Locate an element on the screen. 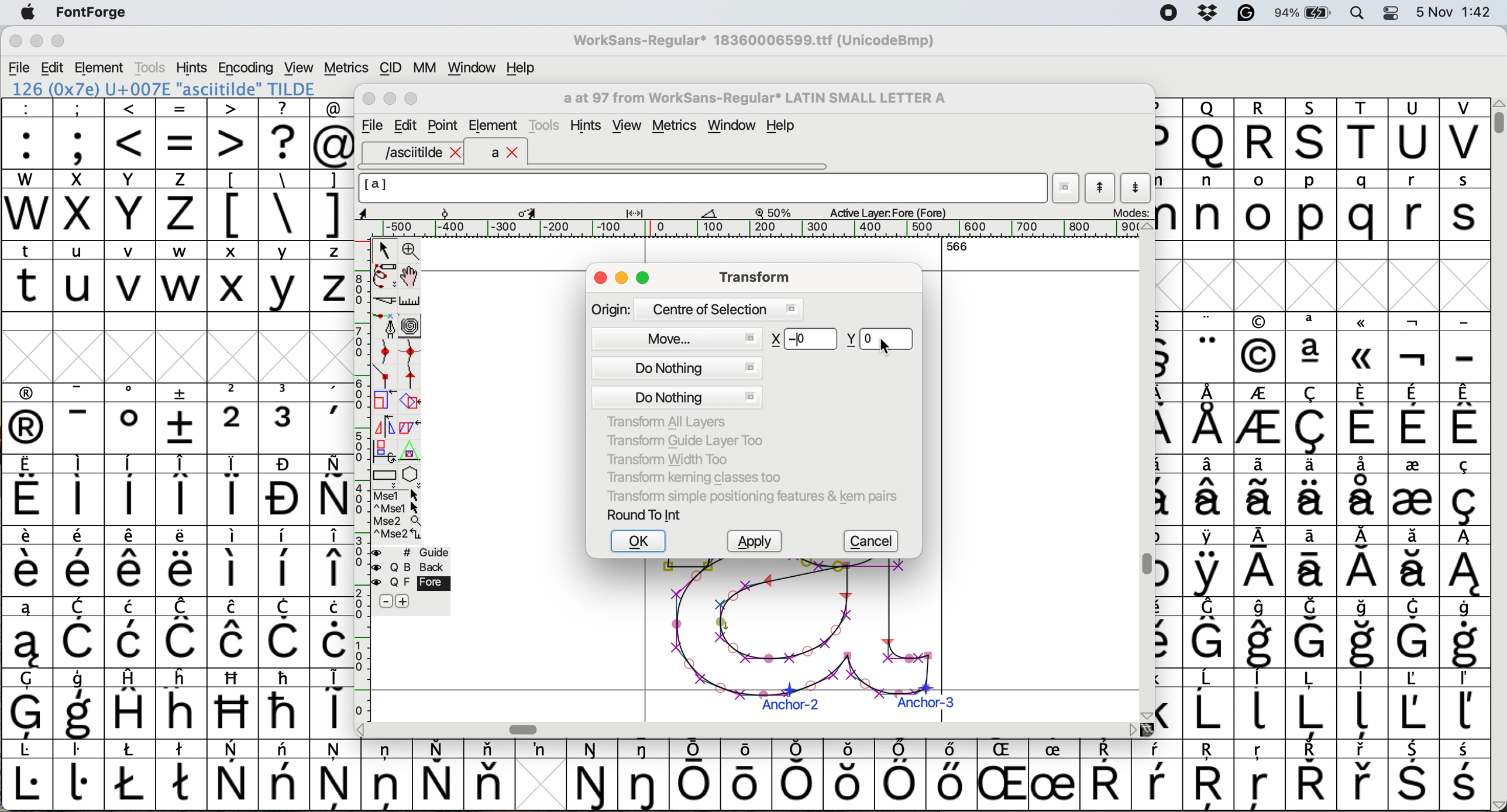 Image resolution: width=1507 pixels, height=812 pixels. metrics is located at coordinates (679, 127).